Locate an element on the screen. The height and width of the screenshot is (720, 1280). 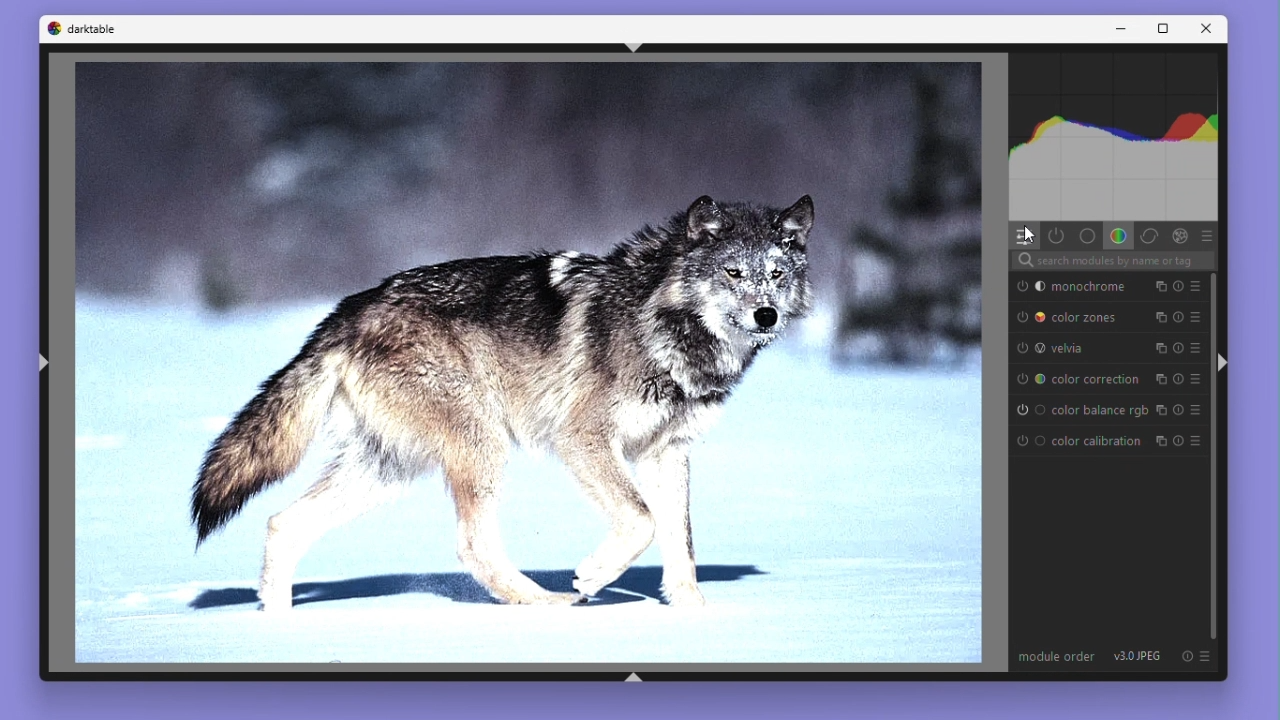
presets is located at coordinates (1199, 410).